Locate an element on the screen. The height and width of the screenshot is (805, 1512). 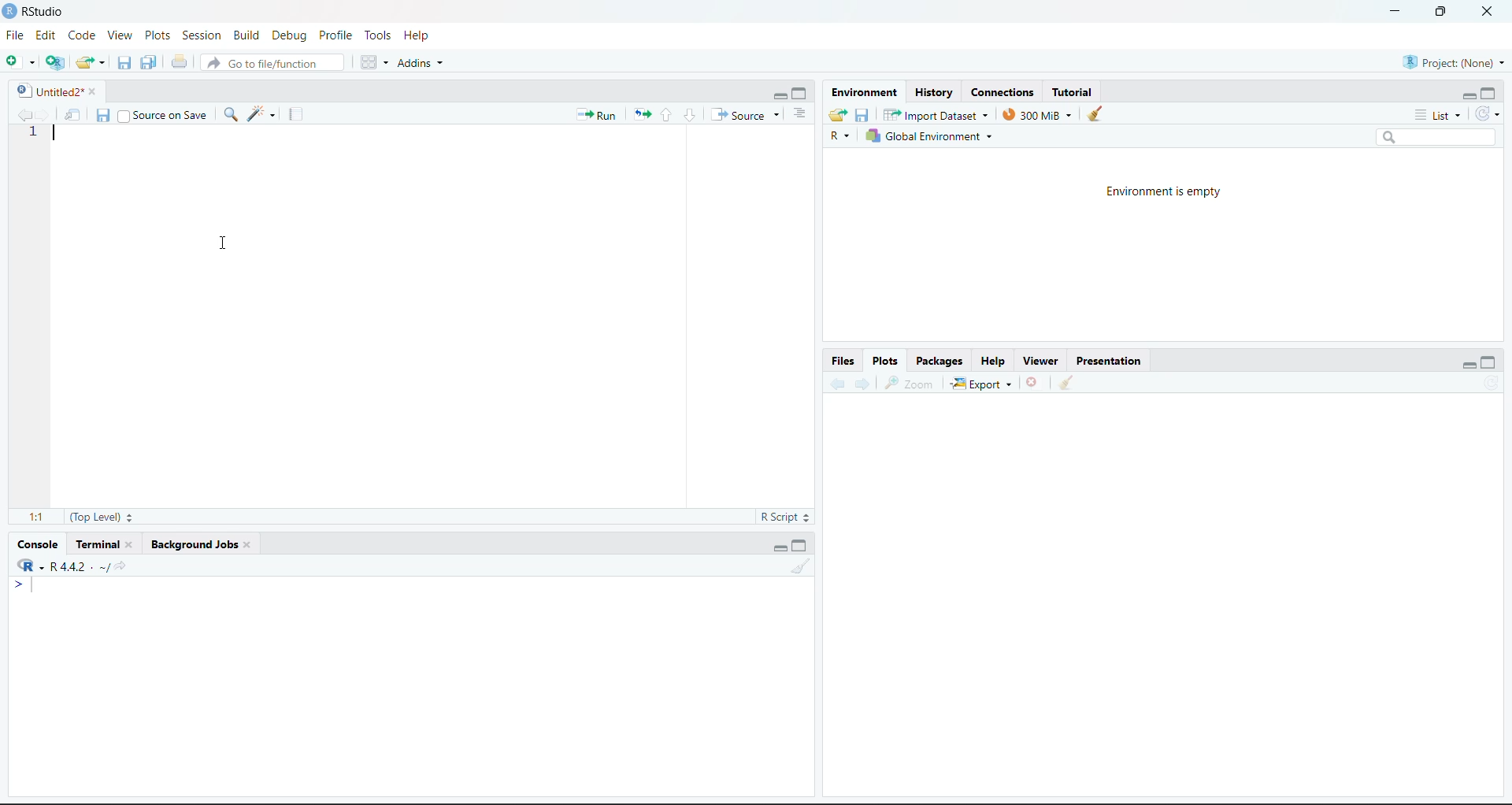
R is located at coordinates (838, 136).